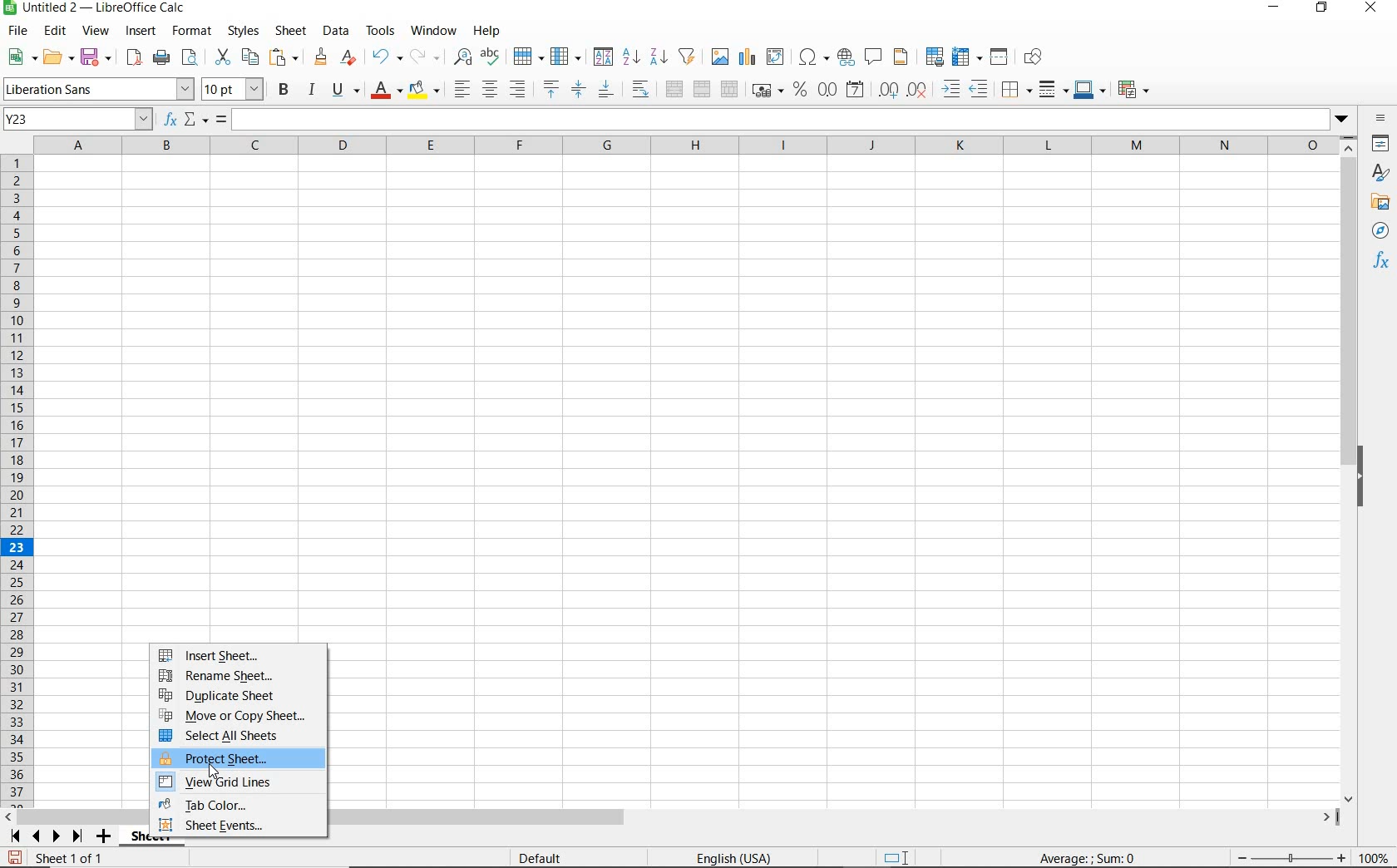 This screenshot has width=1397, height=868. Describe the element at coordinates (1133, 89) in the screenshot. I see `CONDITIONAL` at that location.